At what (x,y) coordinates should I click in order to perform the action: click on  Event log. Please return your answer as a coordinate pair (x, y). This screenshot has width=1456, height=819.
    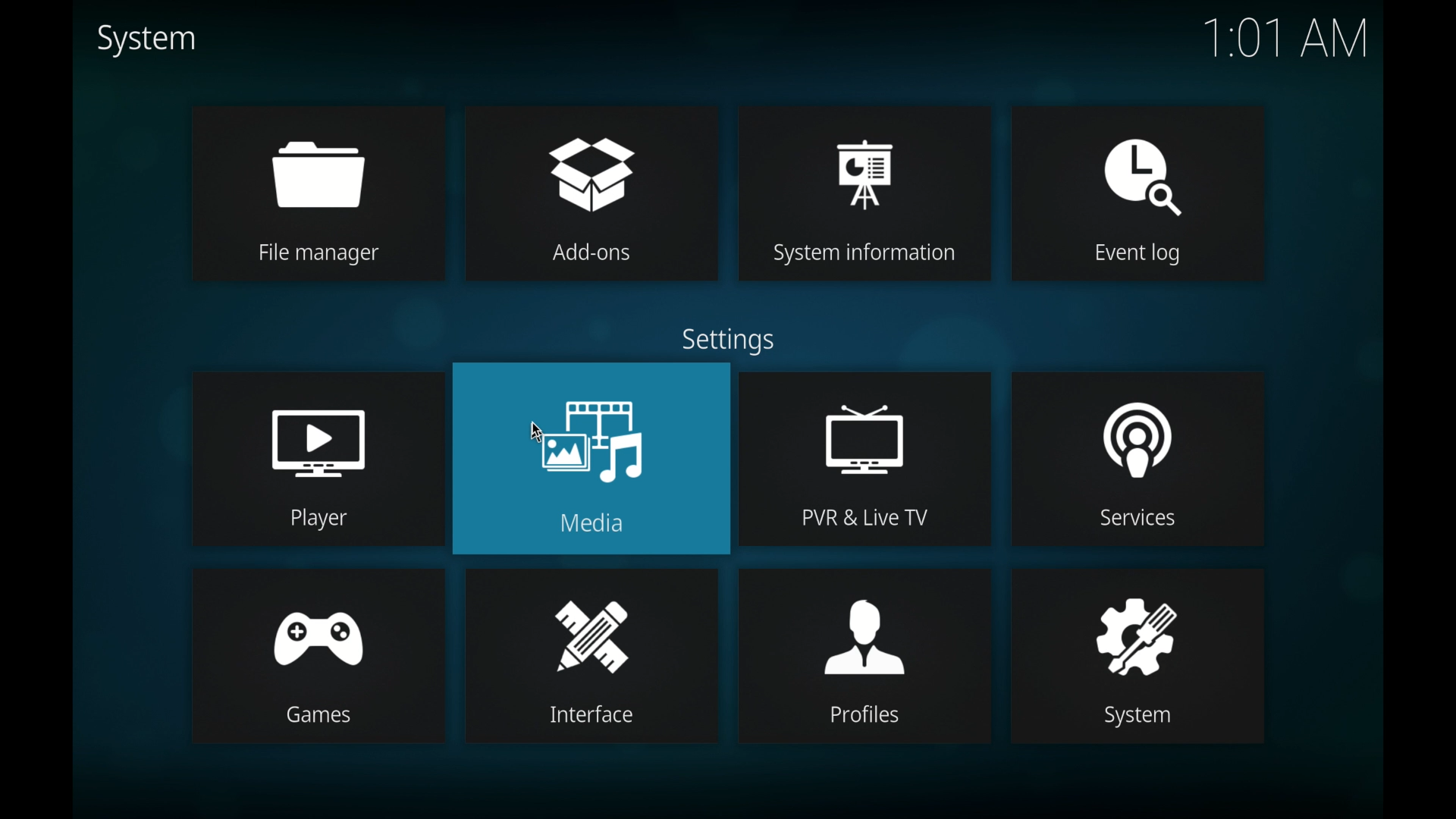
    Looking at the image, I should click on (1131, 255).